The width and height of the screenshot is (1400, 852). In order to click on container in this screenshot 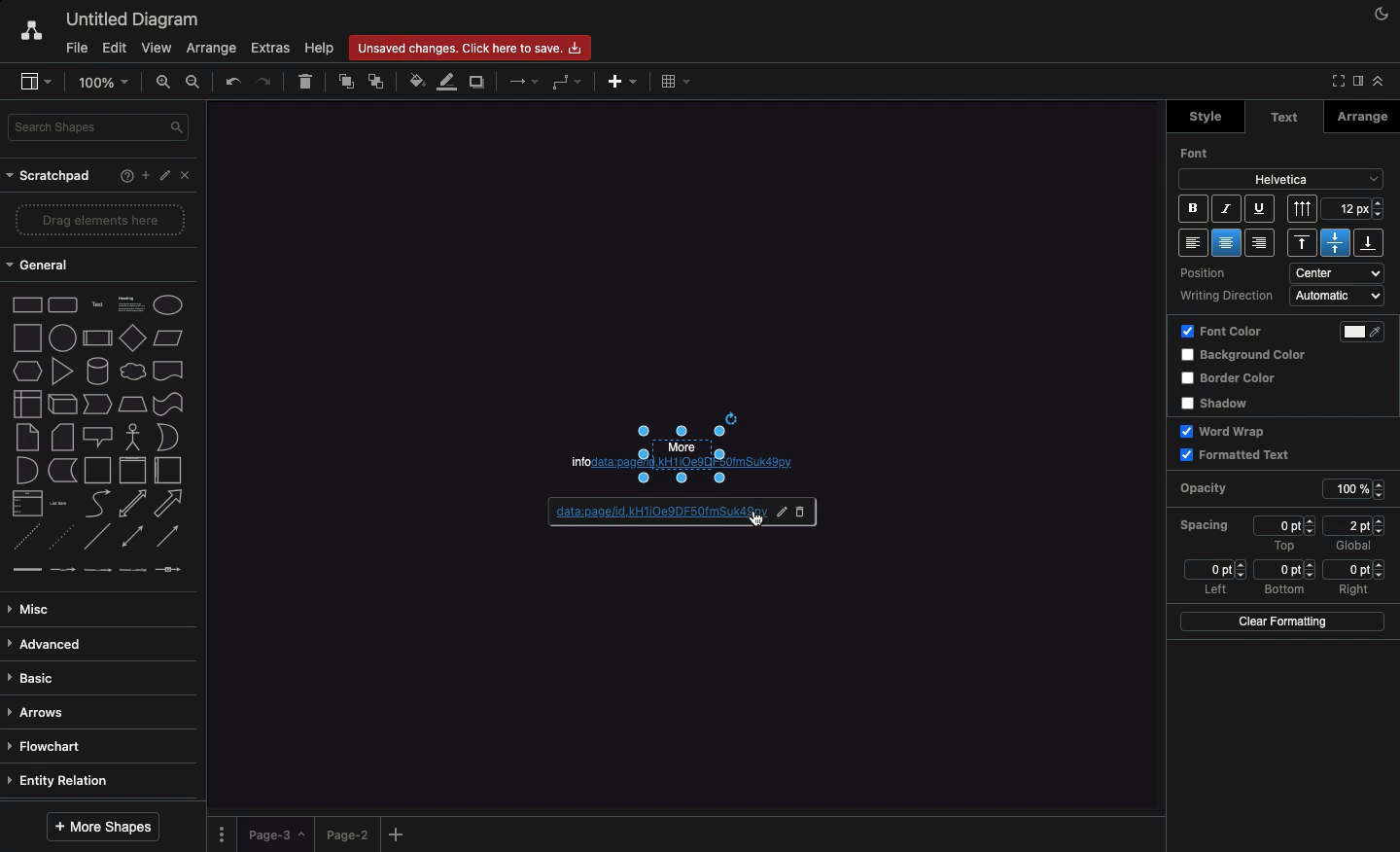, I will do `click(97, 471)`.